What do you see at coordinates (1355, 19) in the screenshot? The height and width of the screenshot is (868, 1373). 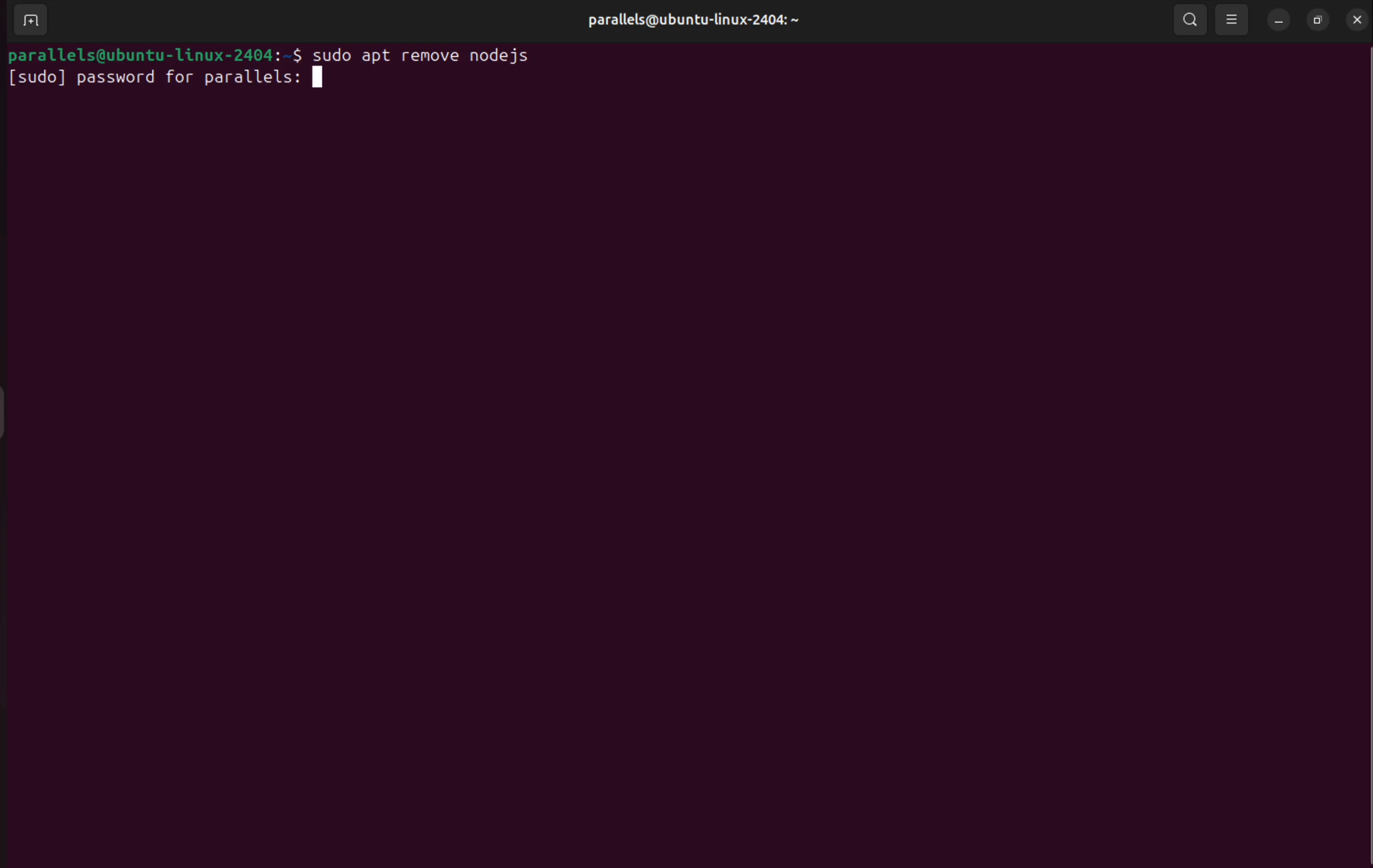 I see `close` at bounding box center [1355, 19].